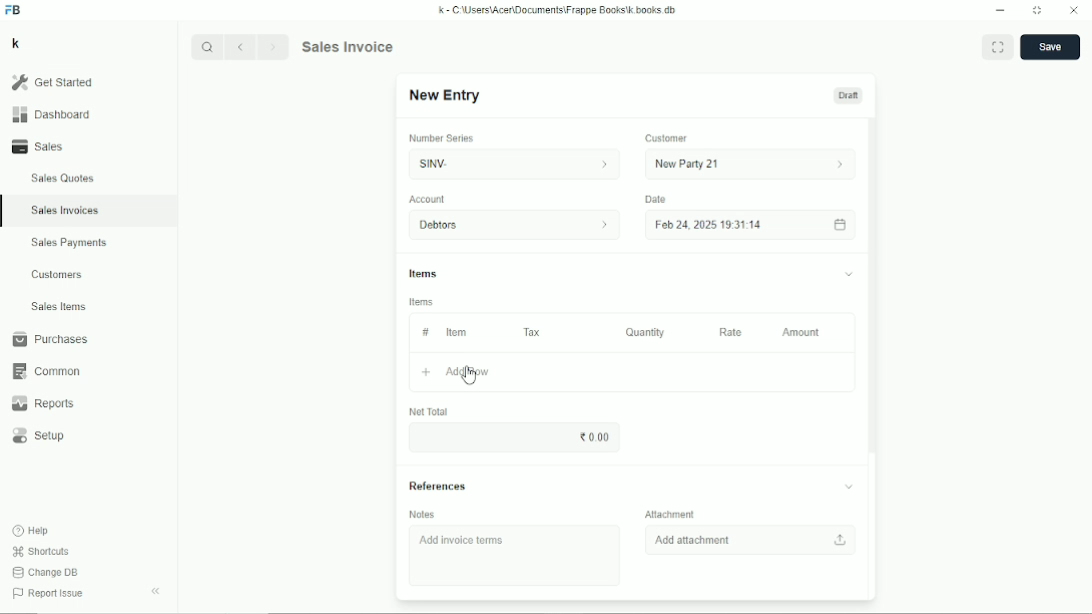  What do you see at coordinates (44, 371) in the screenshot?
I see `Common` at bounding box center [44, 371].